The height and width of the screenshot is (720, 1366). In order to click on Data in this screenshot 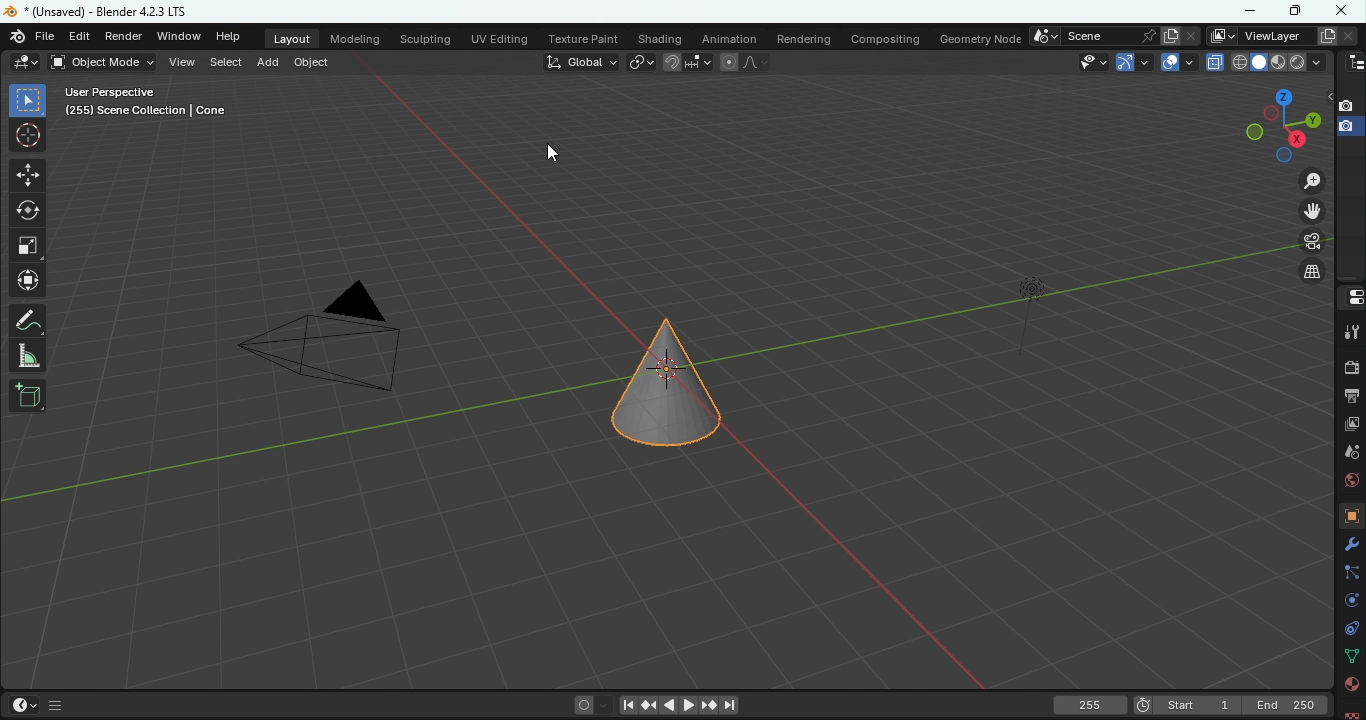, I will do `click(1351, 657)`.